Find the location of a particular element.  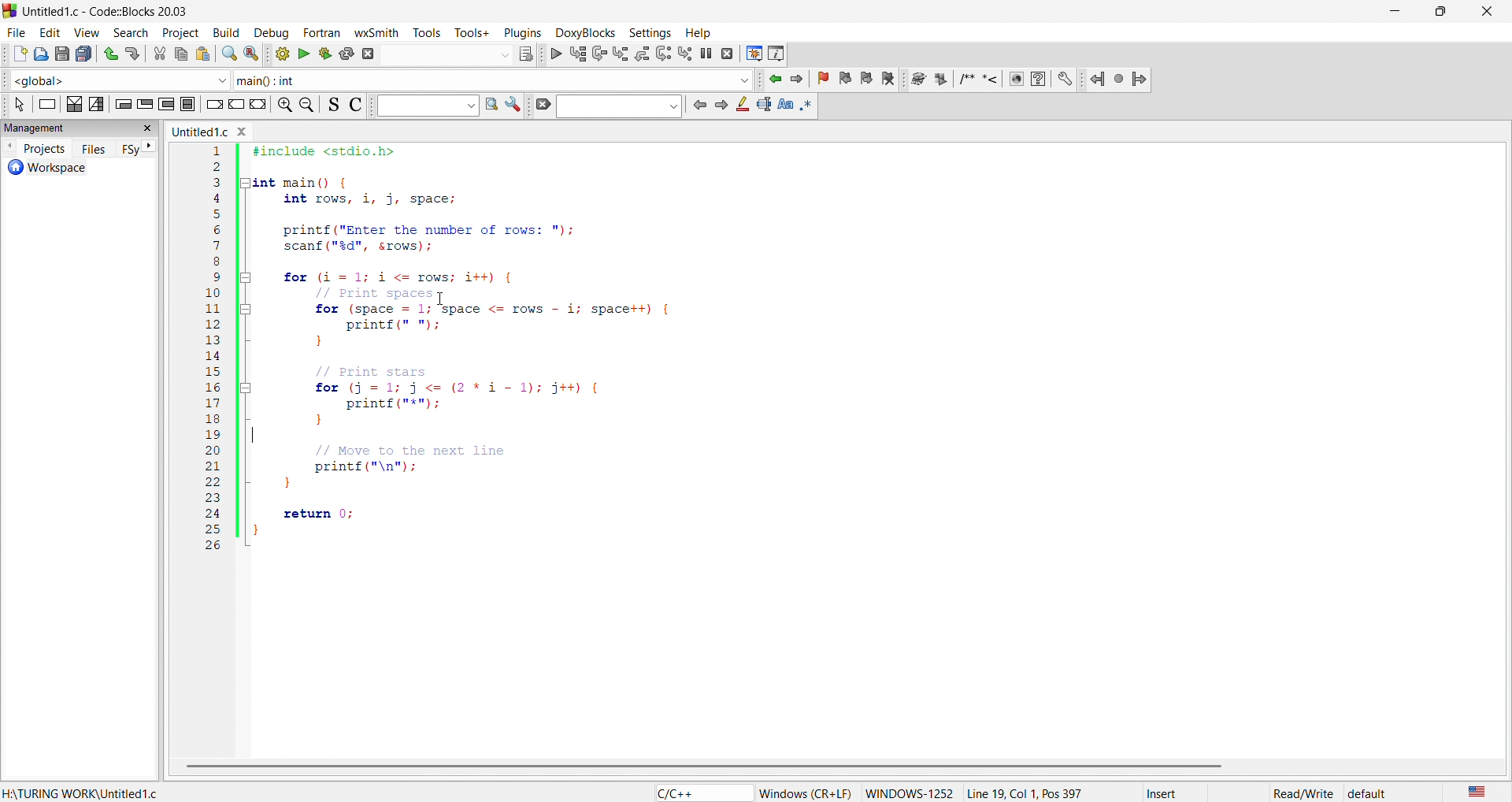

code editor is located at coordinates (883, 444).